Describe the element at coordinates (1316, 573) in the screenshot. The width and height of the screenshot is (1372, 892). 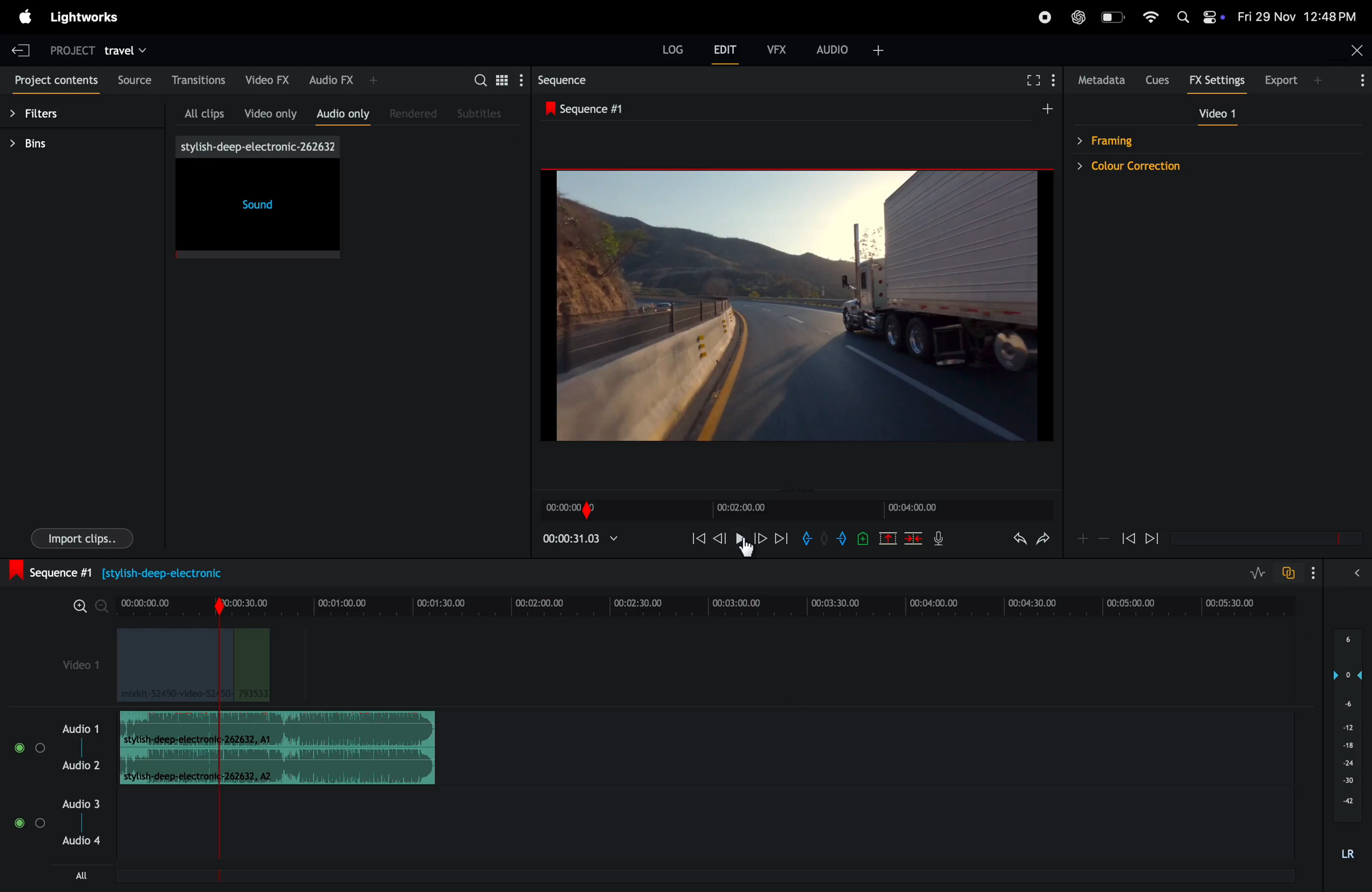
I see `More Options` at that location.